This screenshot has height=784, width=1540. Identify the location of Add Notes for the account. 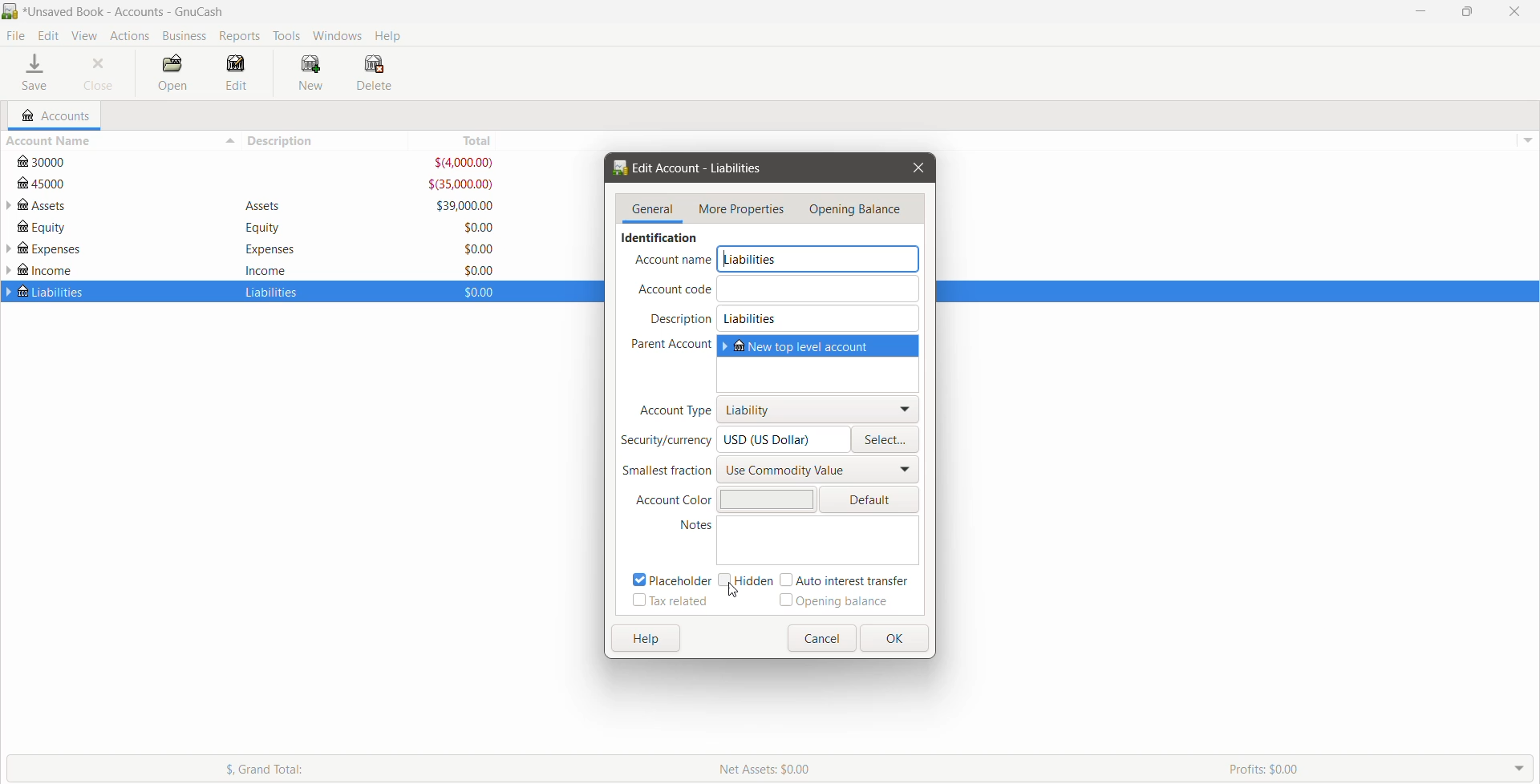
(821, 540).